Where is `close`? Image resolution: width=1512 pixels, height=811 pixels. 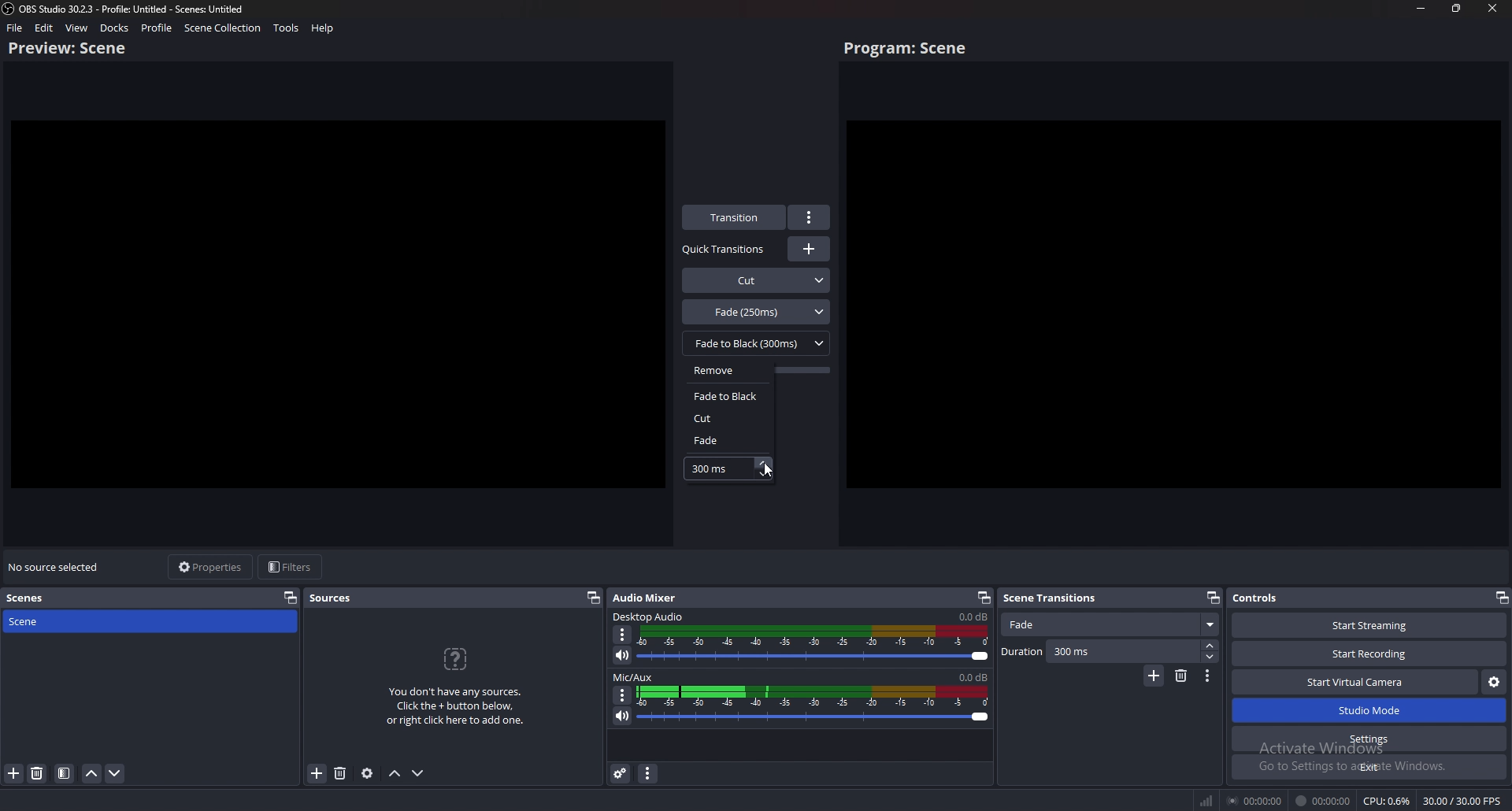 close is located at coordinates (1492, 8).